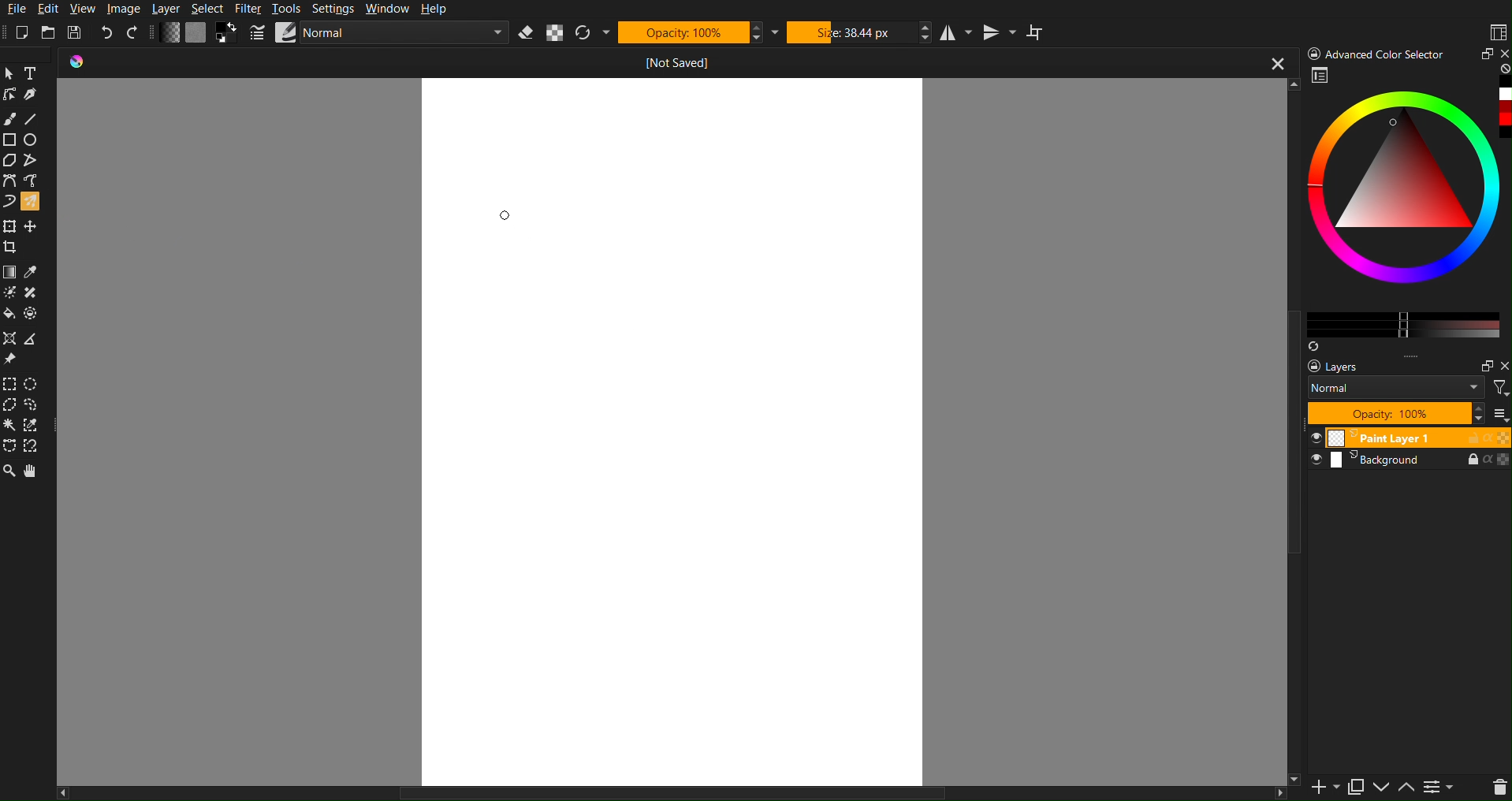 This screenshot has width=1512, height=801. Describe the element at coordinates (957, 32) in the screenshot. I see `Horizontal Mirror` at that location.